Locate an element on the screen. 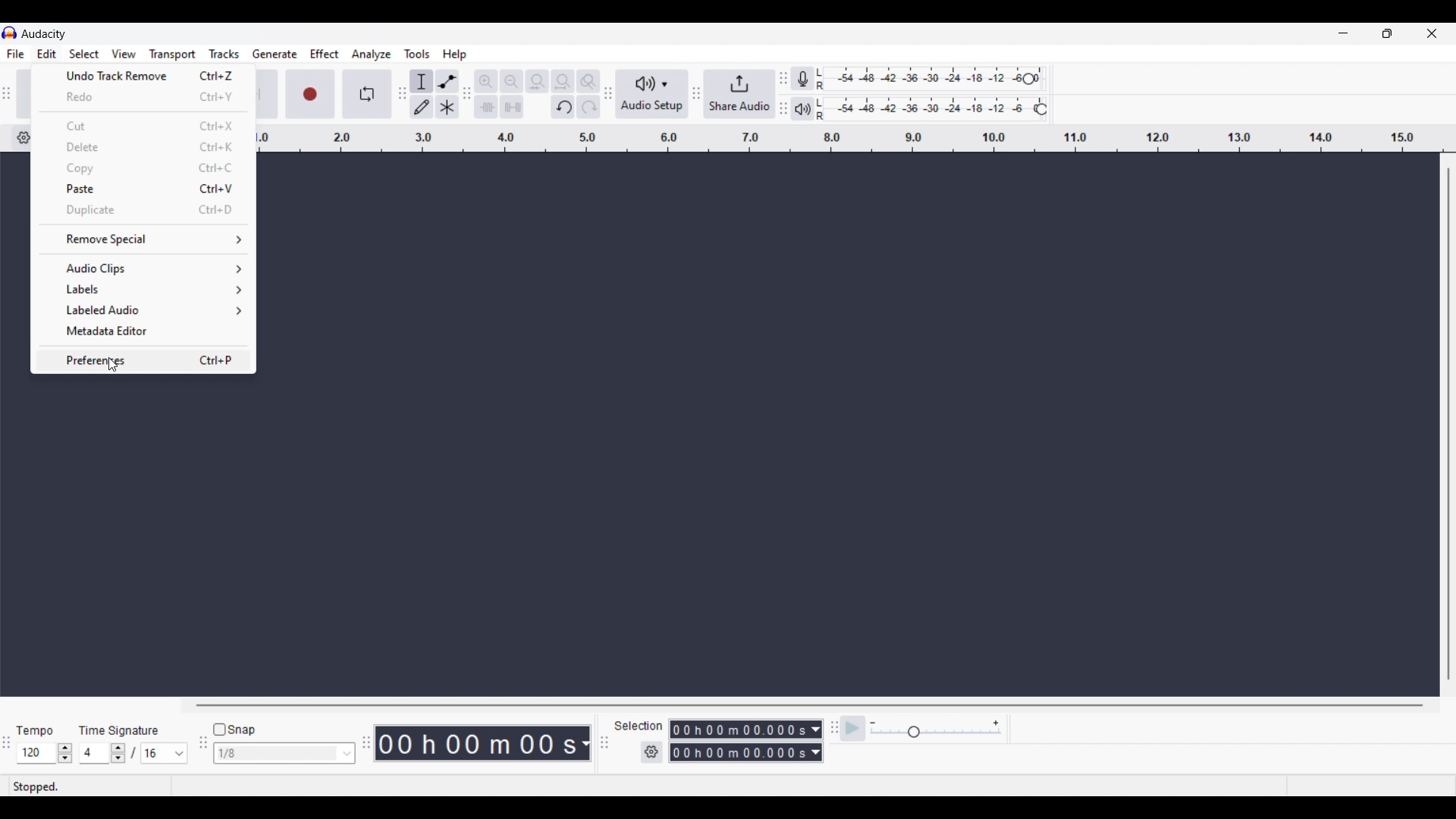 This screenshot has height=819, width=1456. Duplicate is located at coordinates (144, 210).